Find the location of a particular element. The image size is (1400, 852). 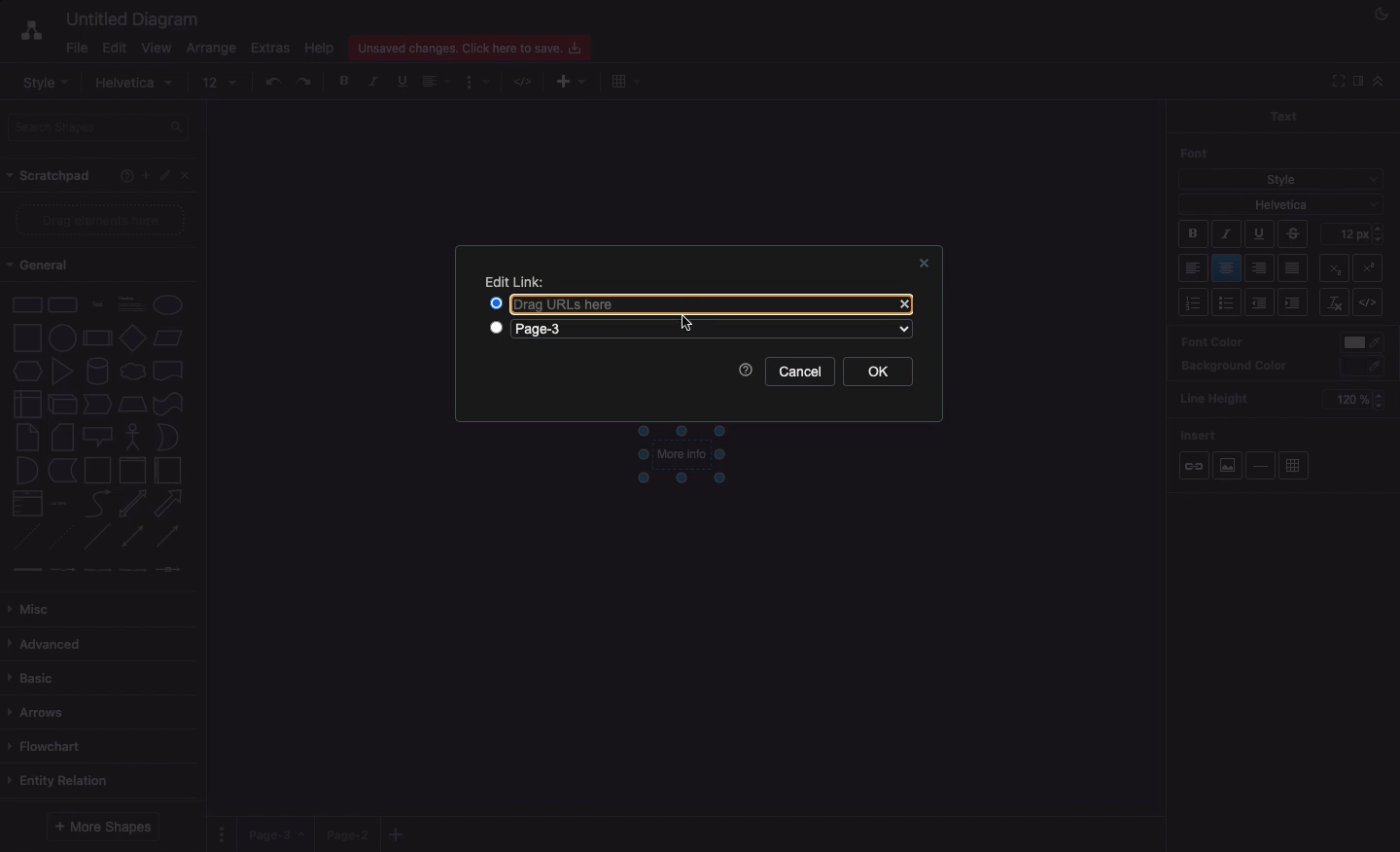

Add is located at coordinates (564, 83).